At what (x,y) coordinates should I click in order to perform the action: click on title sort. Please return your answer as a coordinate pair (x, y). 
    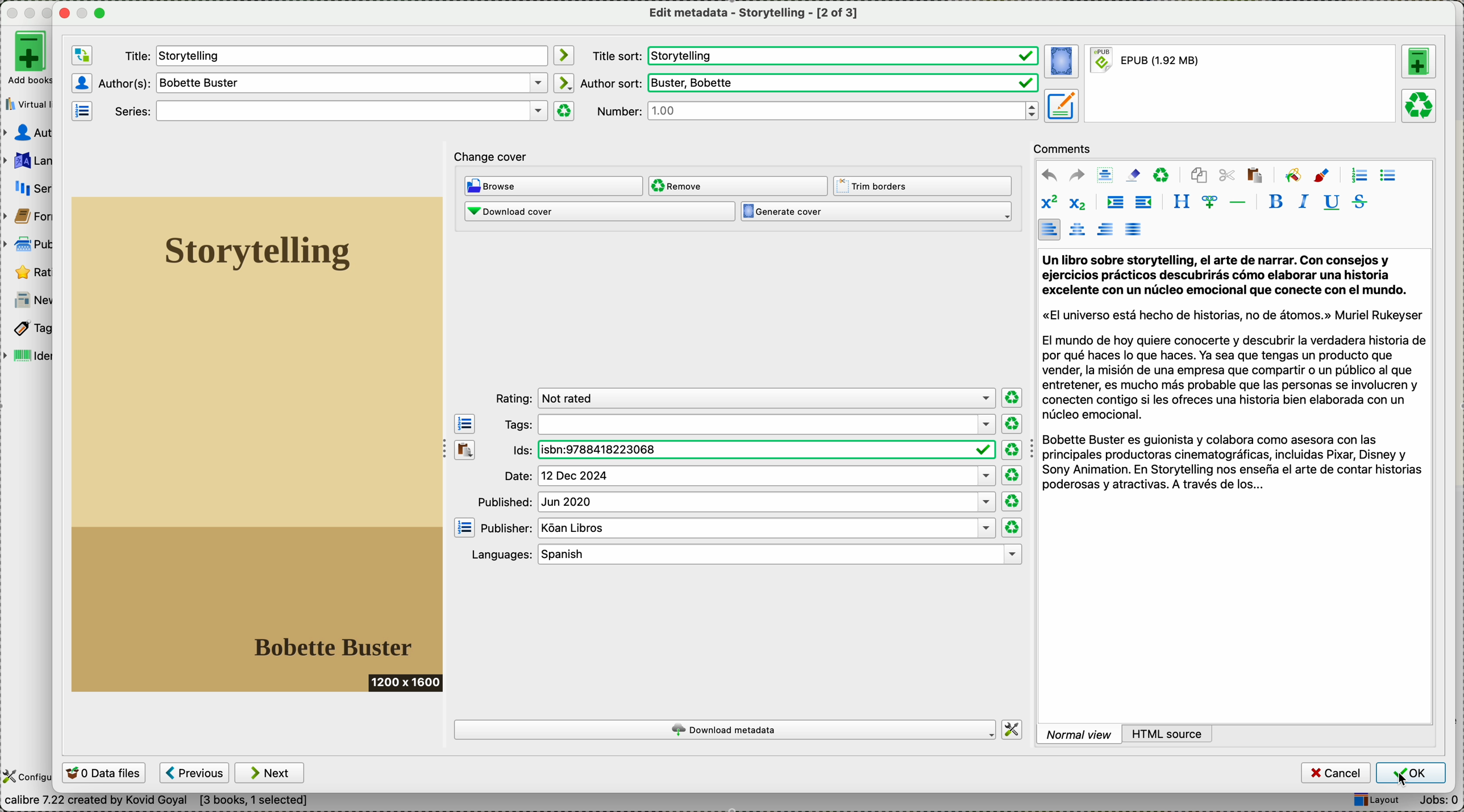
    Looking at the image, I should click on (816, 55).